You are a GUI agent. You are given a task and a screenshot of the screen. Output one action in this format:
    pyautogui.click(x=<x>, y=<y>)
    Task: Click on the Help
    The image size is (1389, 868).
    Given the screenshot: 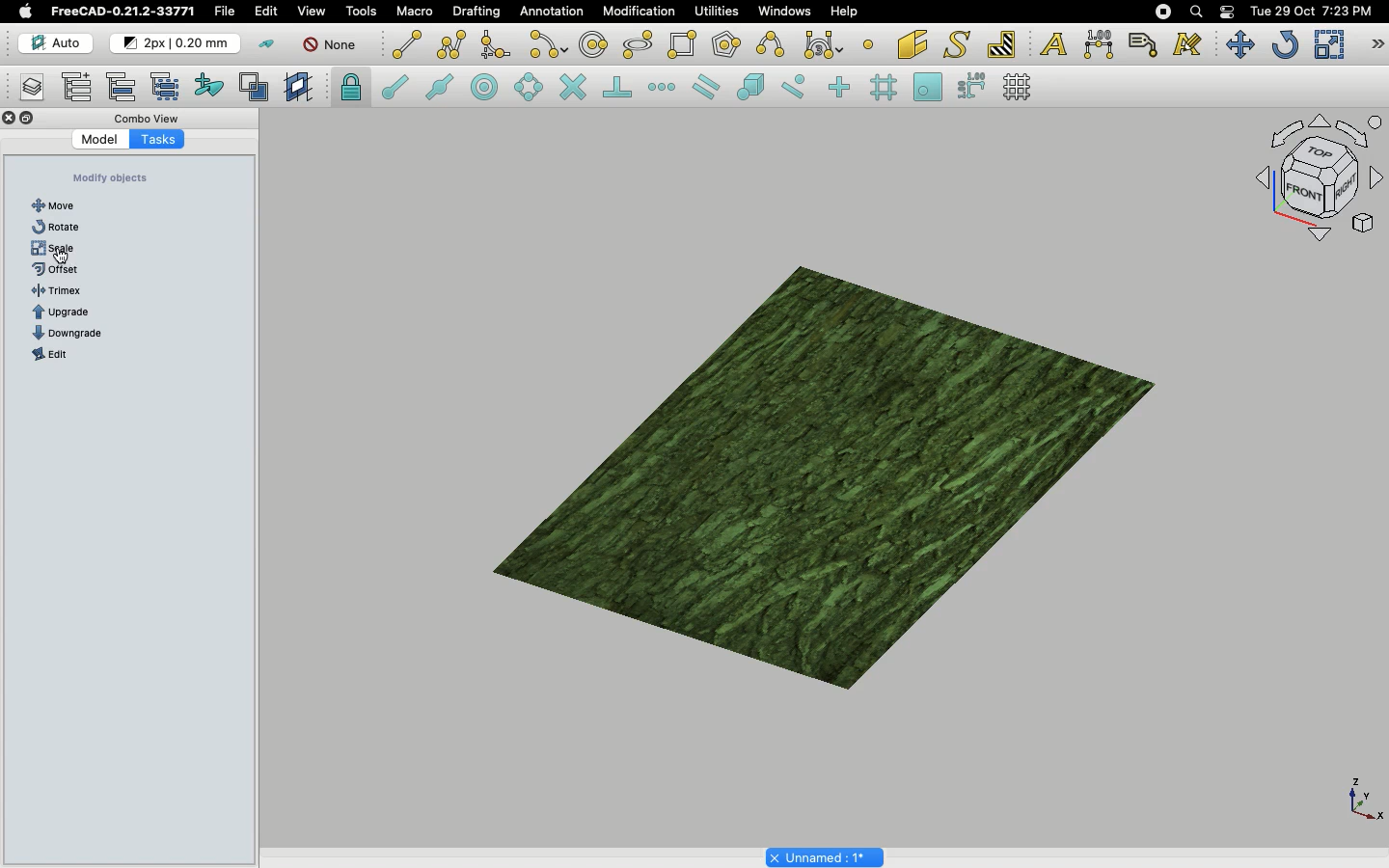 What is the action you would take?
    pyautogui.click(x=845, y=10)
    